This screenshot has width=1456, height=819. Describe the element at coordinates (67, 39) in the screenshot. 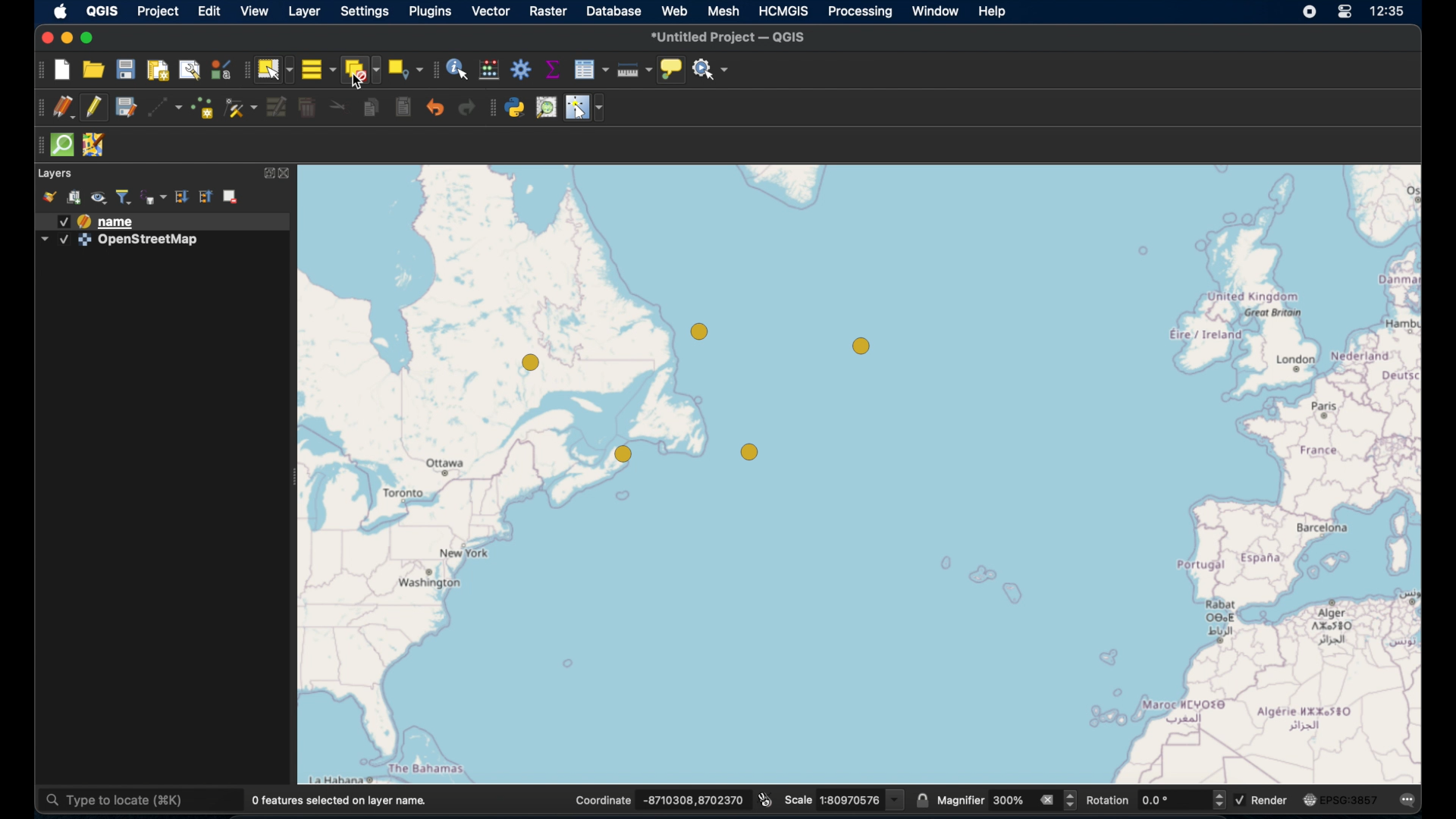

I see `minimize` at that location.